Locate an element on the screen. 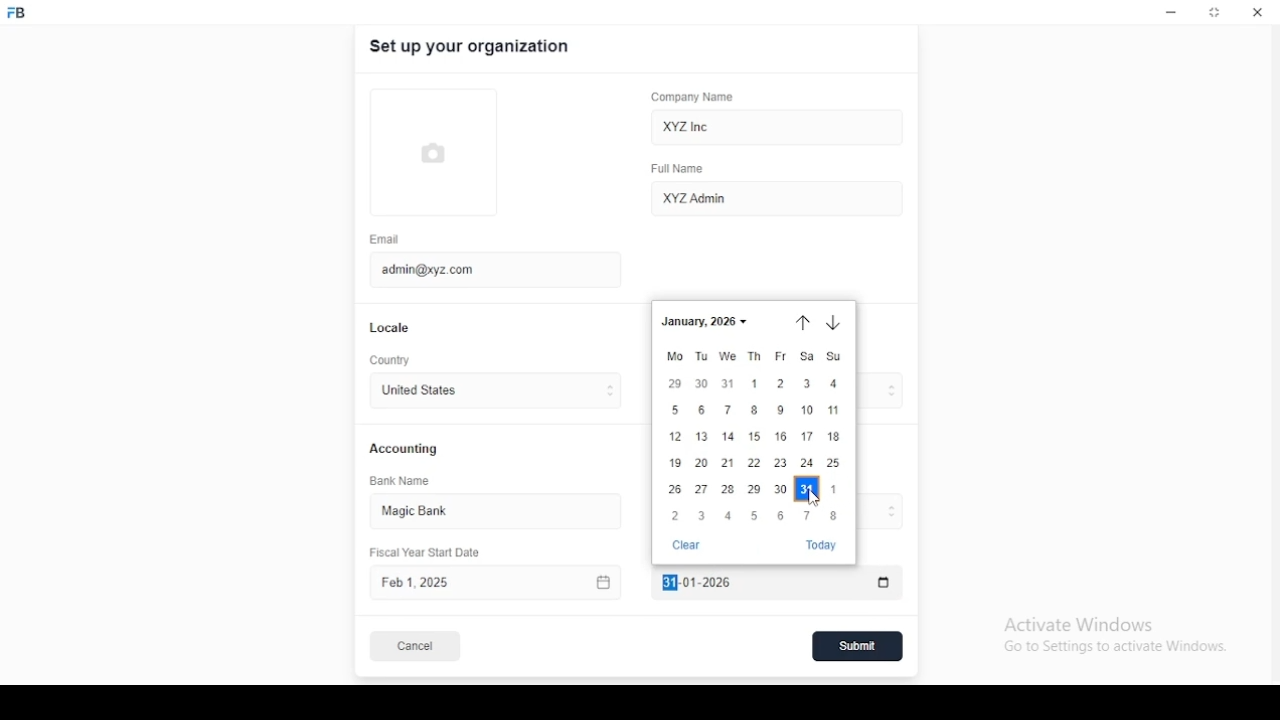 This screenshot has height=720, width=1280. january 2025 is located at coordinates (701, 321).